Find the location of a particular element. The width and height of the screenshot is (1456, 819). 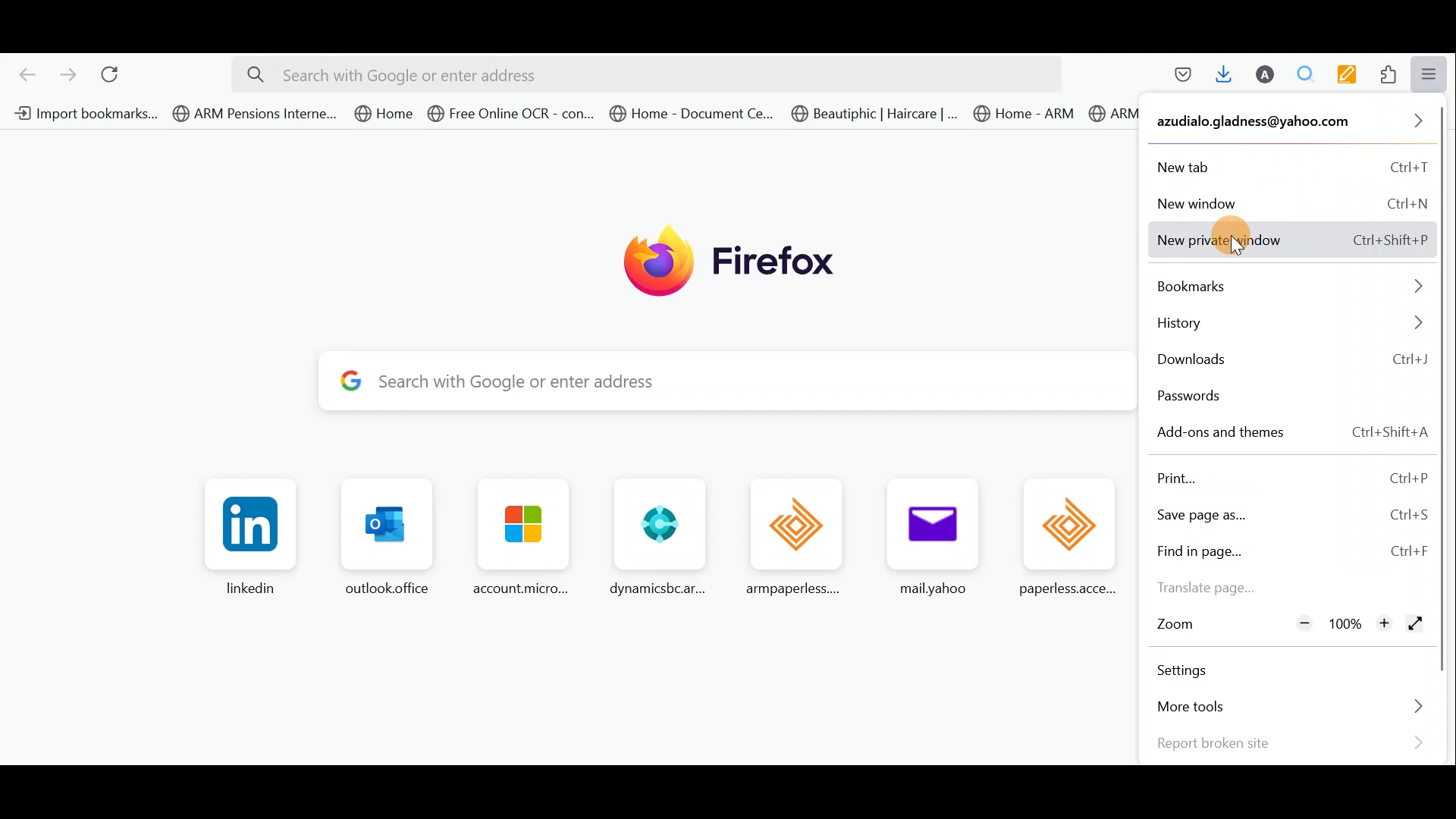

Home - ARM is located at coordinates (1027, 114).